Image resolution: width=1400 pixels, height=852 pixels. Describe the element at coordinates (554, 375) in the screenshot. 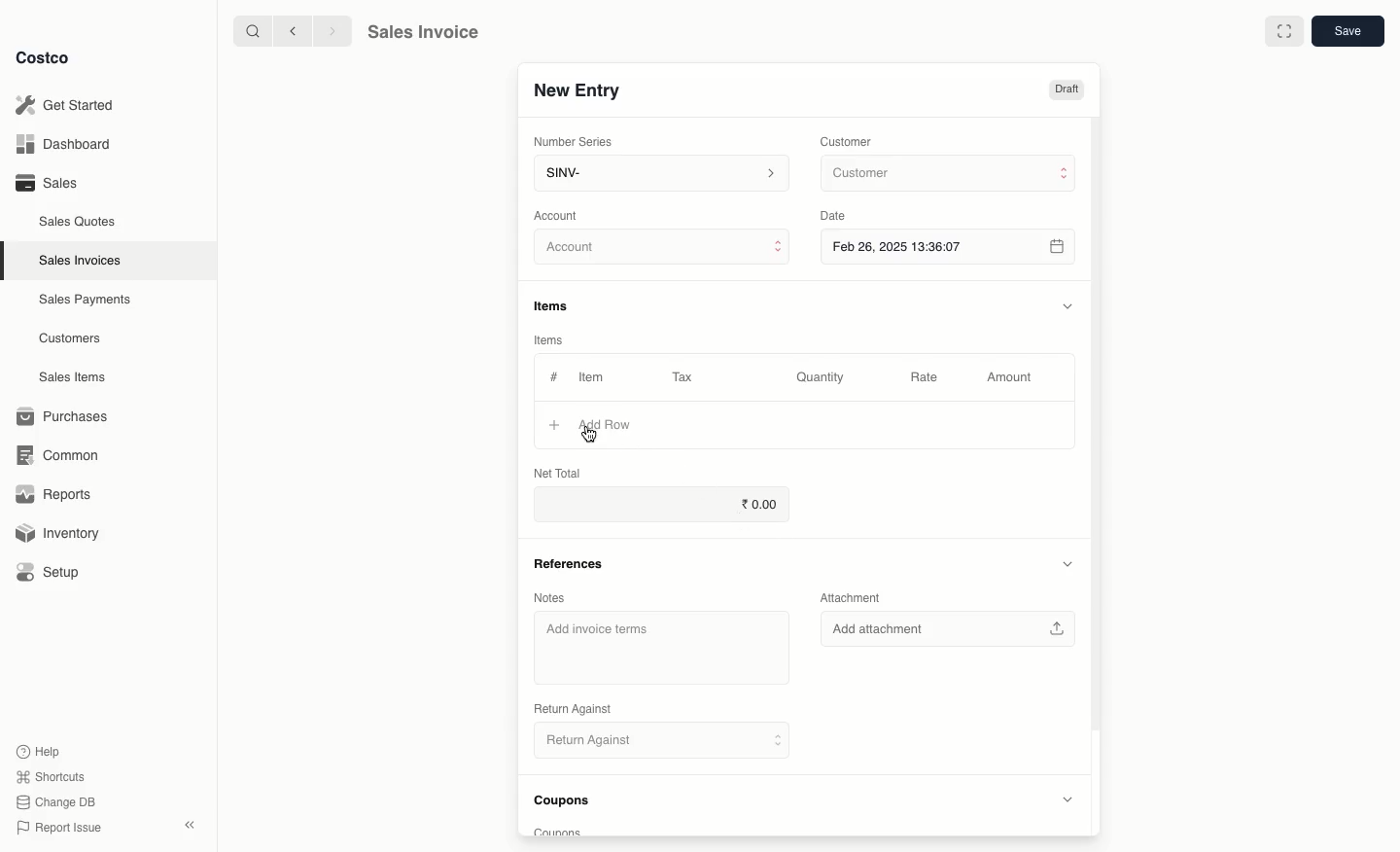

I see `#` at that location.